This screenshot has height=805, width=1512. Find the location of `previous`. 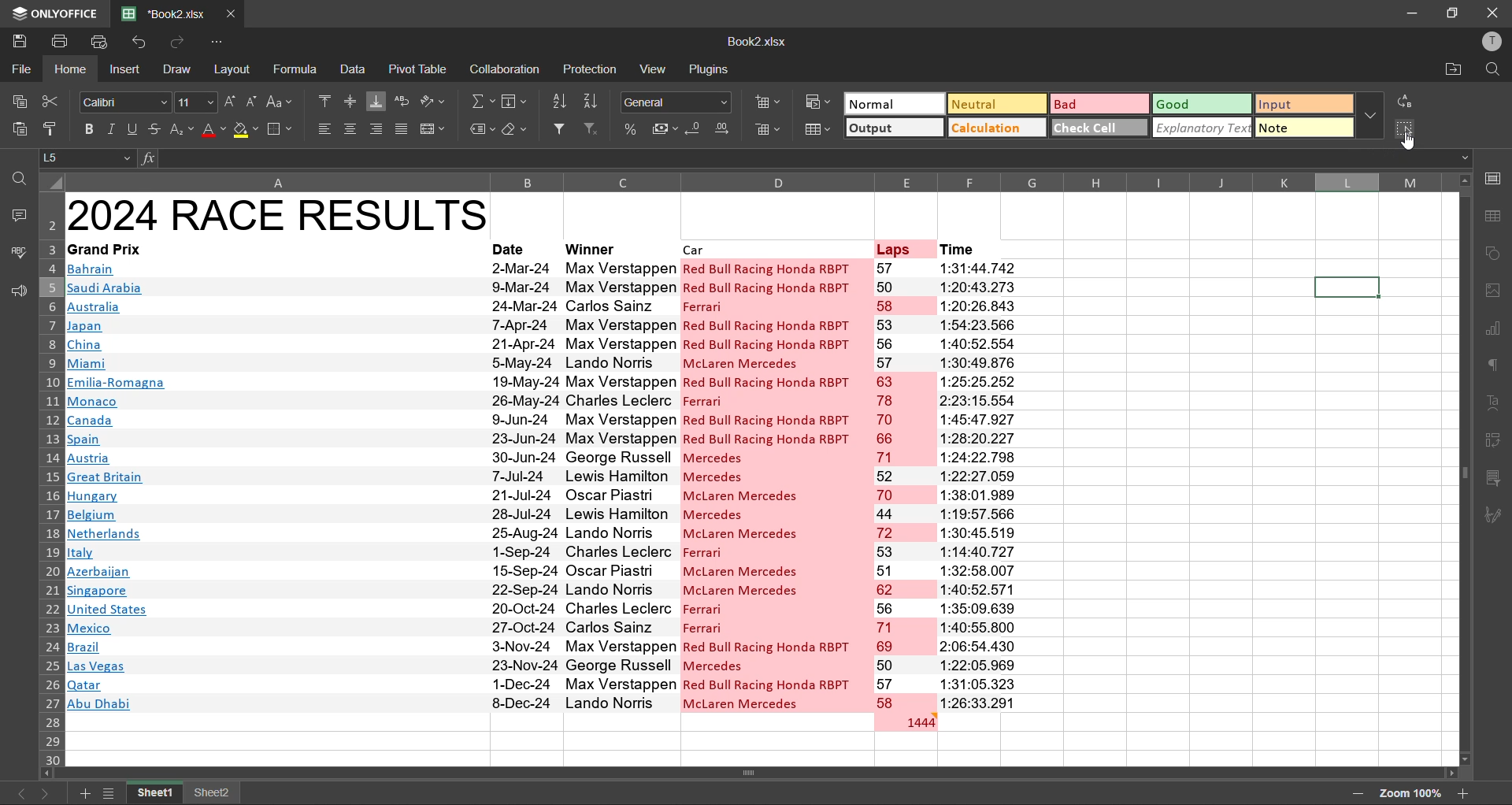

previous is located at coordinates (20, 793).